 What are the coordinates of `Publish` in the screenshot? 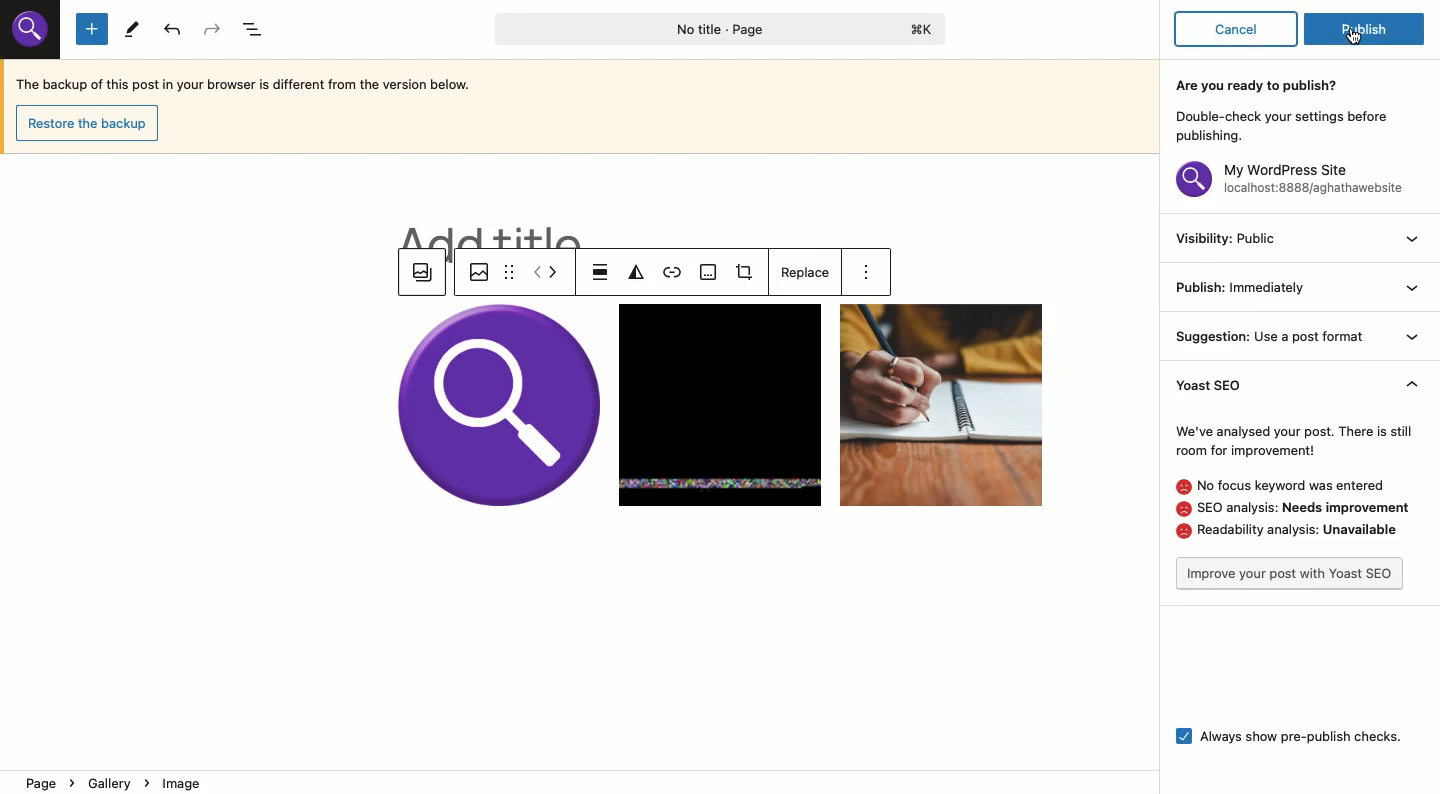 It's located at (1244, 287).